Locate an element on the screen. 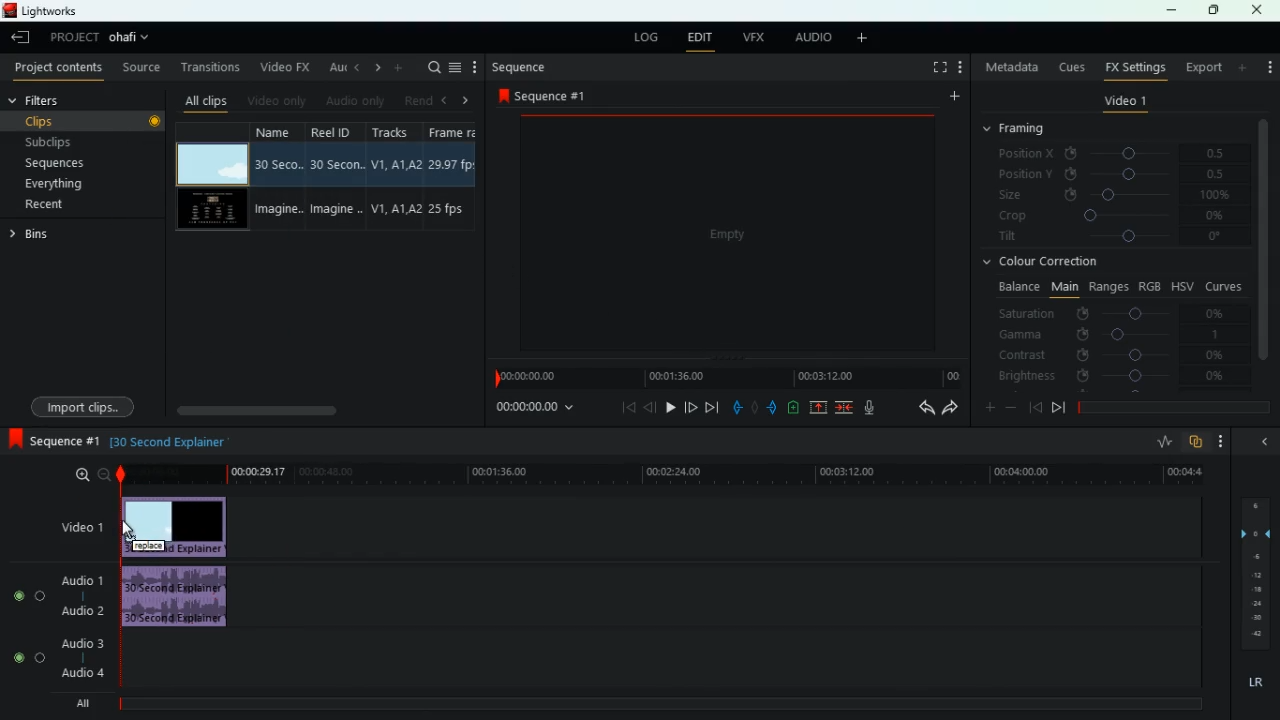  front is located at coordinates (689, 405).